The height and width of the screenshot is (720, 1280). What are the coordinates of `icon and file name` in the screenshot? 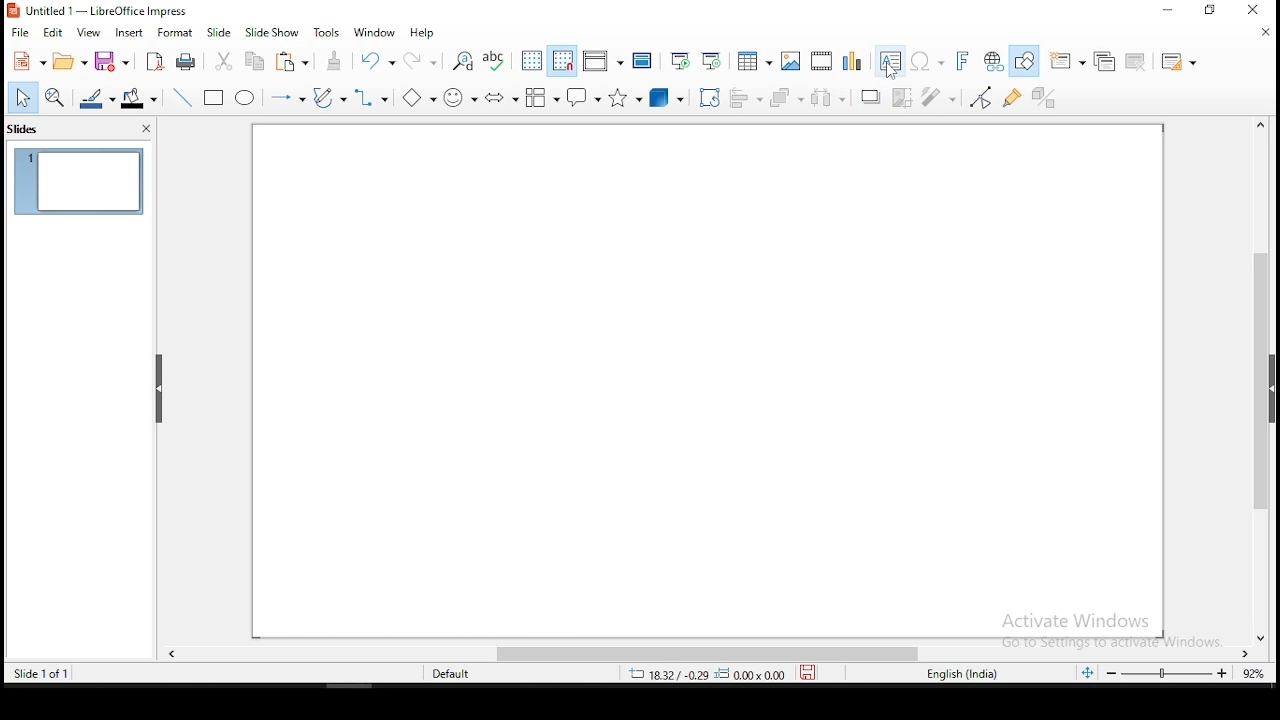 It's located at (106, 11).